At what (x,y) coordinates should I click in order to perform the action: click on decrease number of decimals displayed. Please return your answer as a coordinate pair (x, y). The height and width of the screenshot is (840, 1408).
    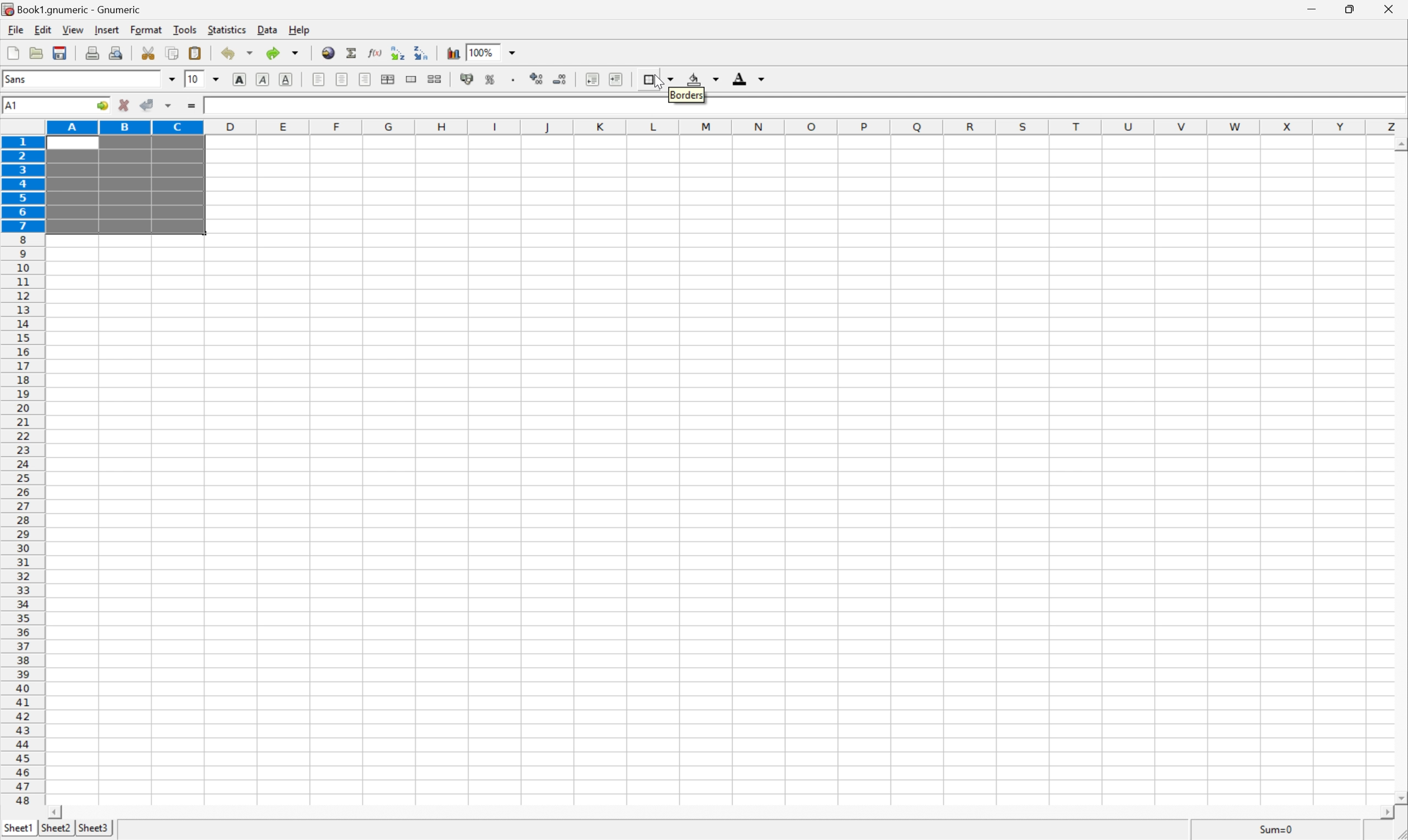
    Looking at the image, I should click on (560, 83).